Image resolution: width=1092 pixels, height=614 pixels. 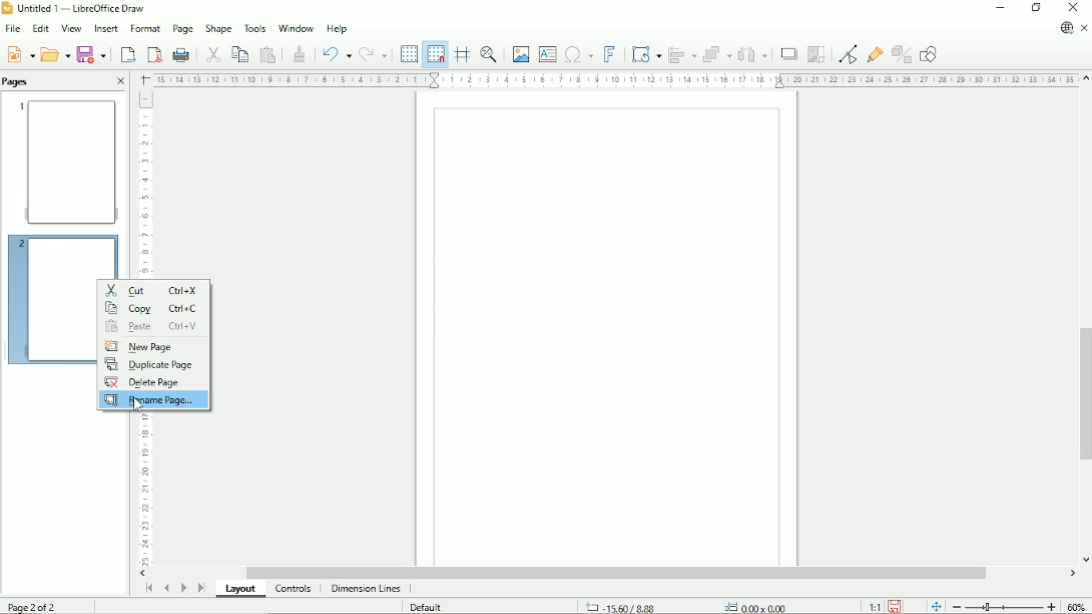 What do you see at coordinates (519, 54) in the screenshot?
I see `Insert image` at bounding box center [519, 54].